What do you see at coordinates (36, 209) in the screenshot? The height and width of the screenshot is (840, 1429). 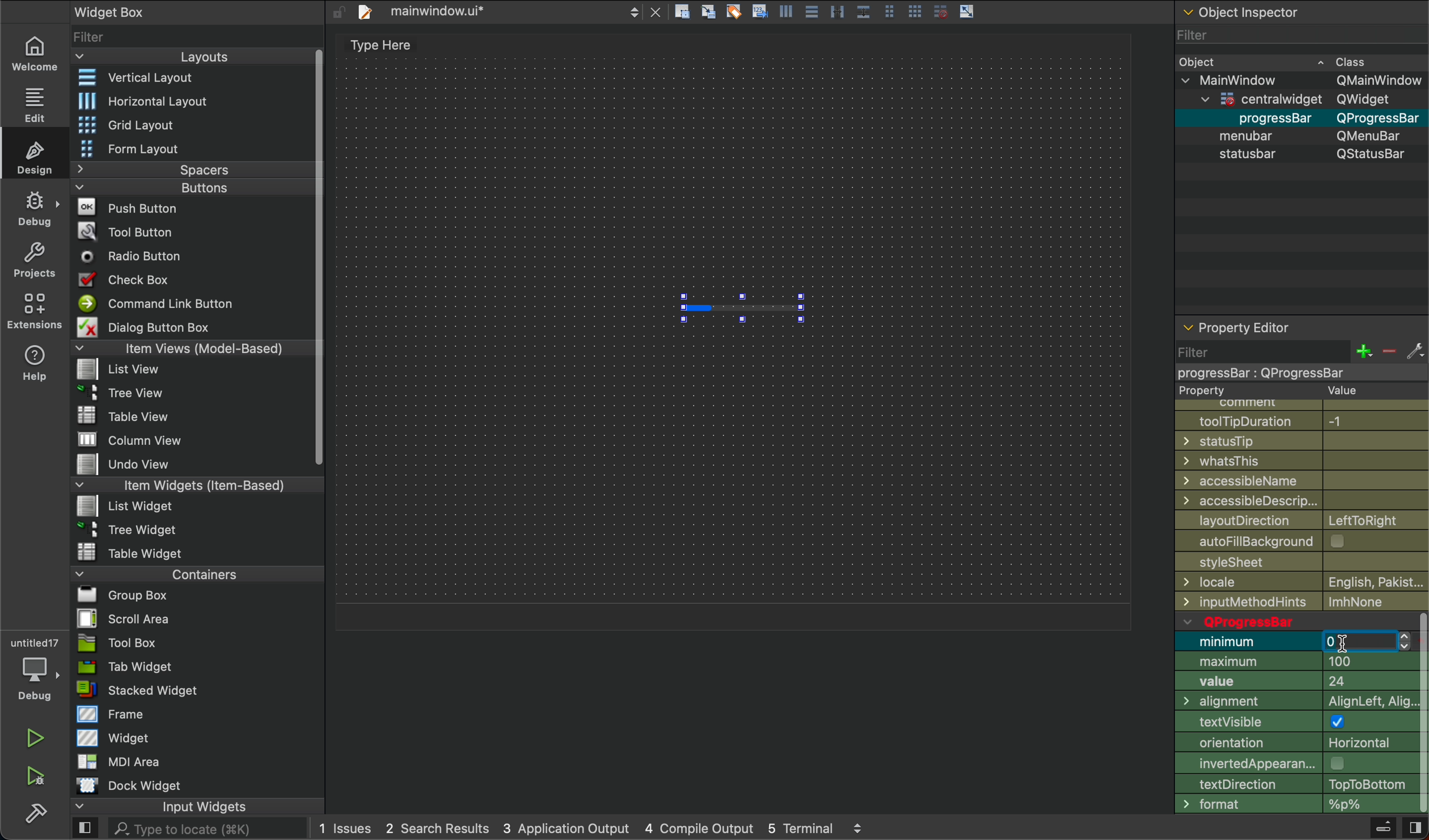 I see `debug` at bounding box center [36, 209].